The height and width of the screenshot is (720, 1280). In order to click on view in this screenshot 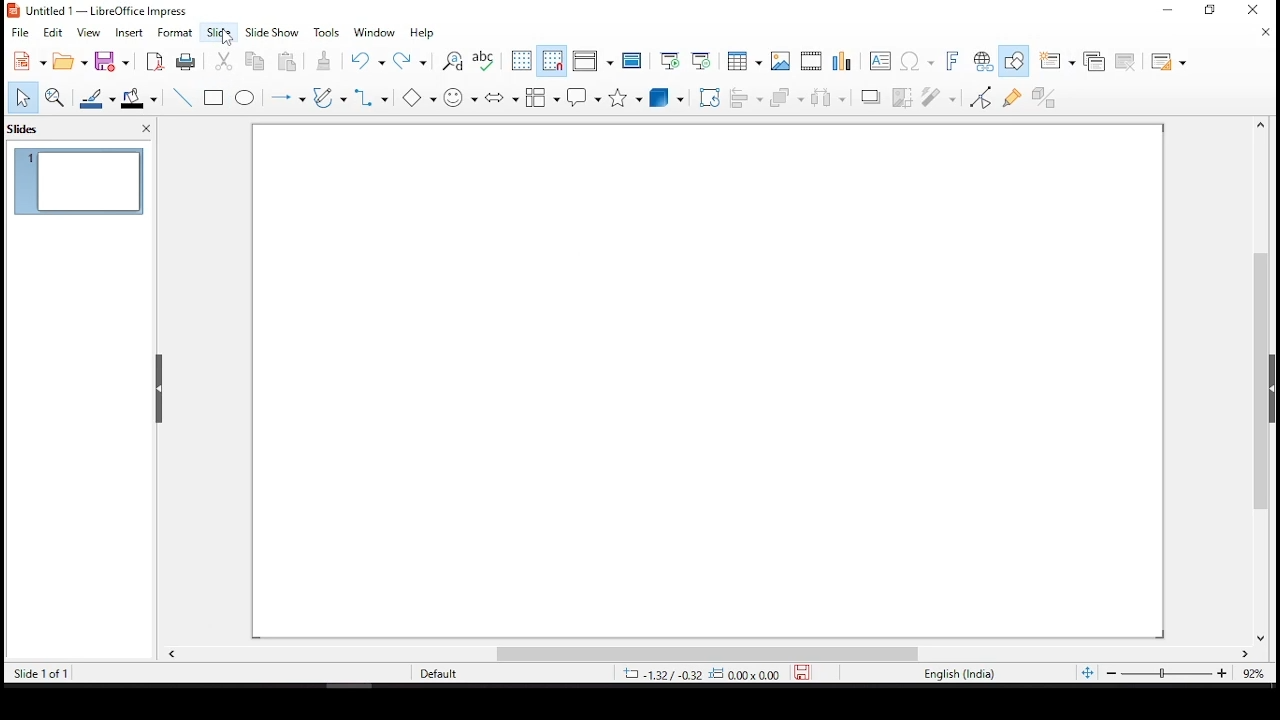, I will do `click(90, 33)`.